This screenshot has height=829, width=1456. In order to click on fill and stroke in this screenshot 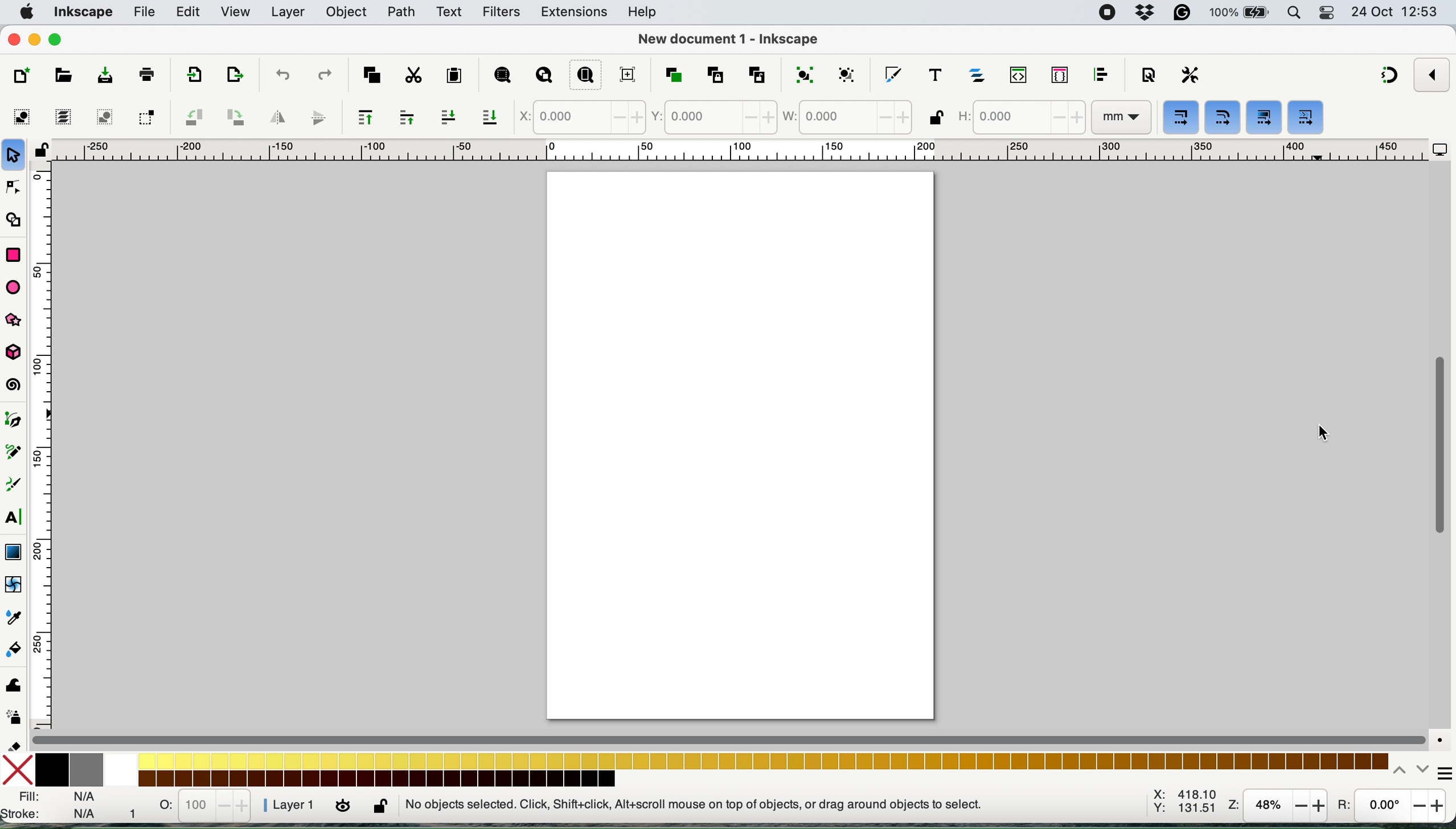, I will do `click(51, 805)`.